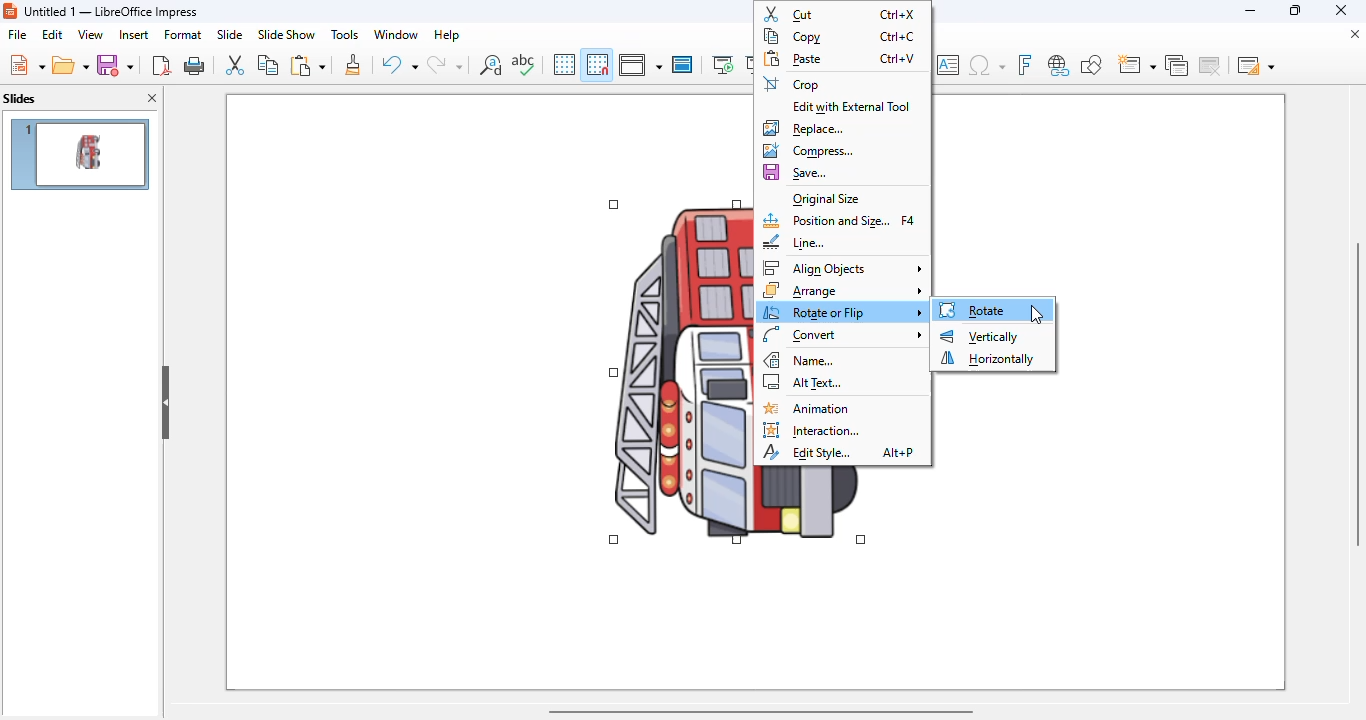  What do you see at coordinates (1210, 64) in the screenshot?
I see `delete slide` at bounding box center [1210, 64].